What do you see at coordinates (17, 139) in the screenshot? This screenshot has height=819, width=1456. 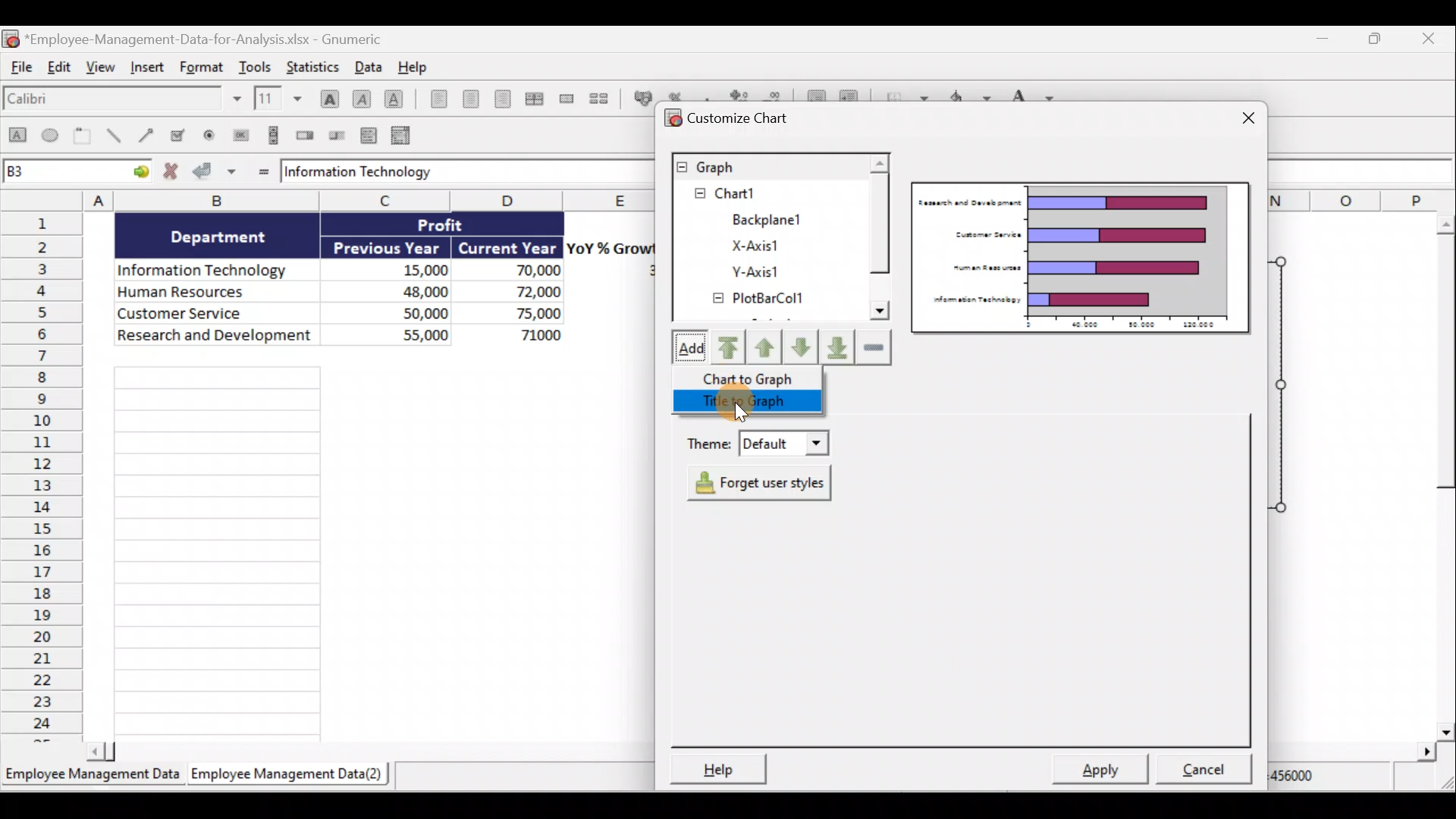 I see `Create a rectangle object` at bounding box center [17, 139].